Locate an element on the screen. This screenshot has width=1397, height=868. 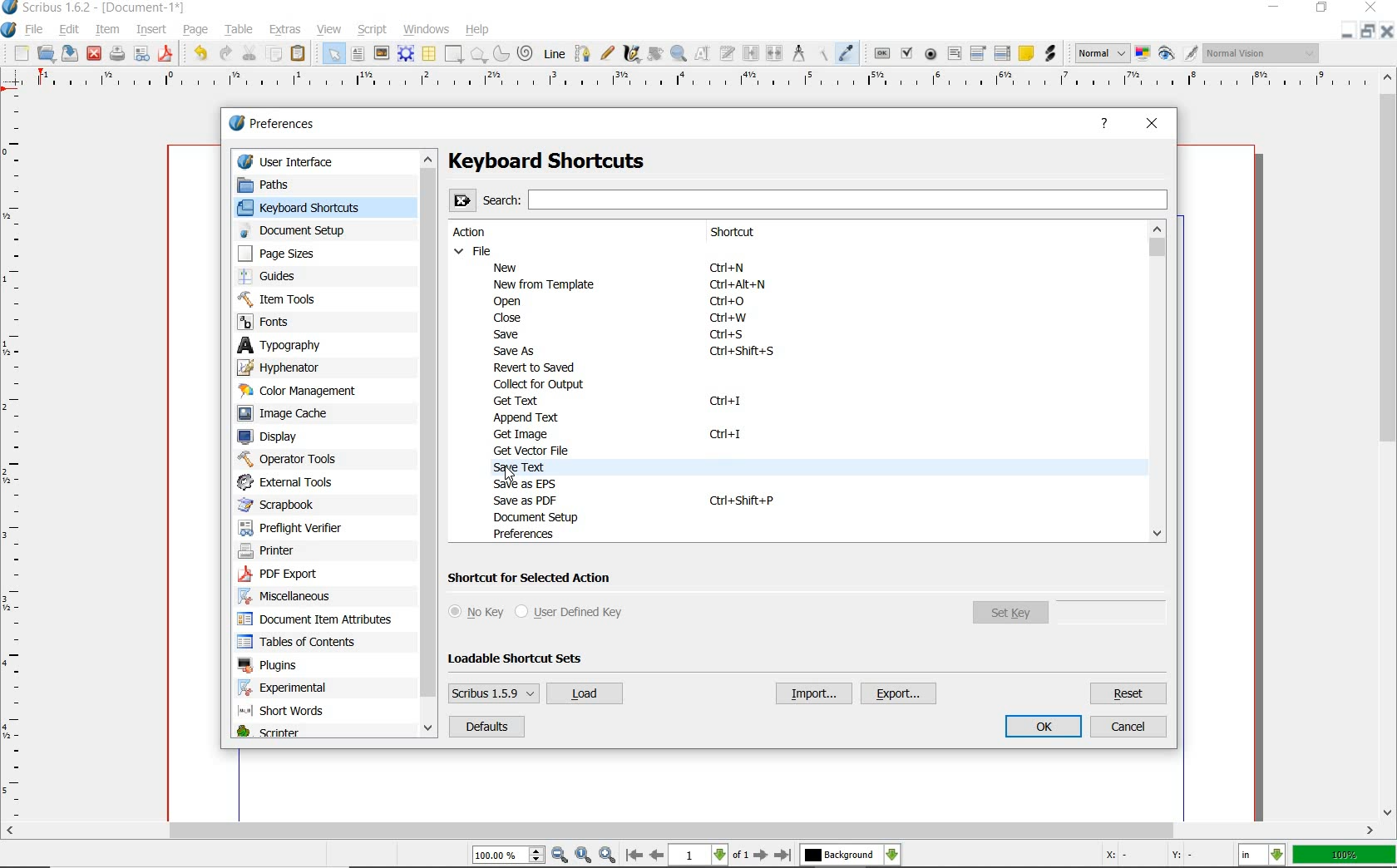
user defined key is located at coordinates (572, 613).